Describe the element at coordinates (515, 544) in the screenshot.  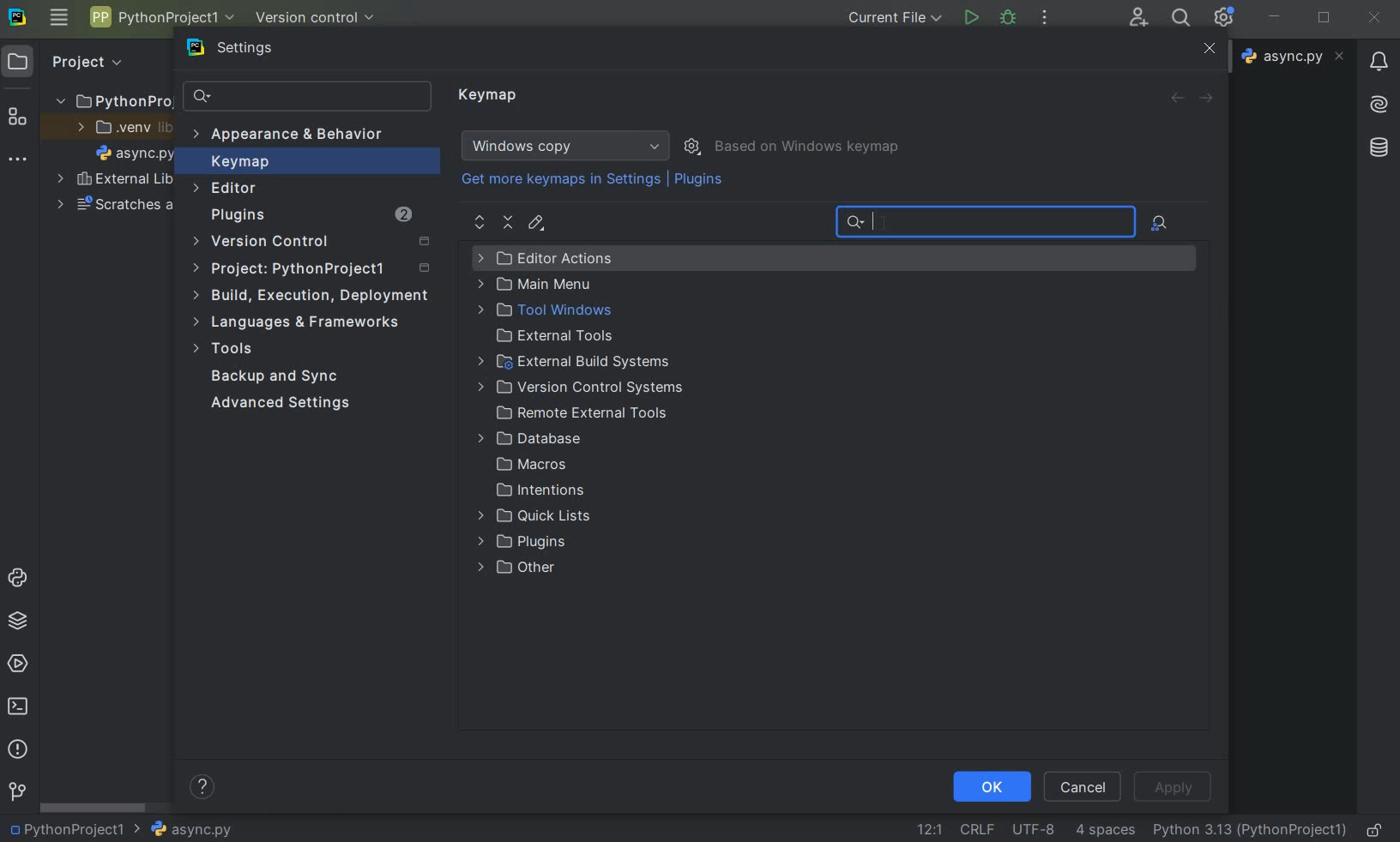
I see `plugins` at that location.